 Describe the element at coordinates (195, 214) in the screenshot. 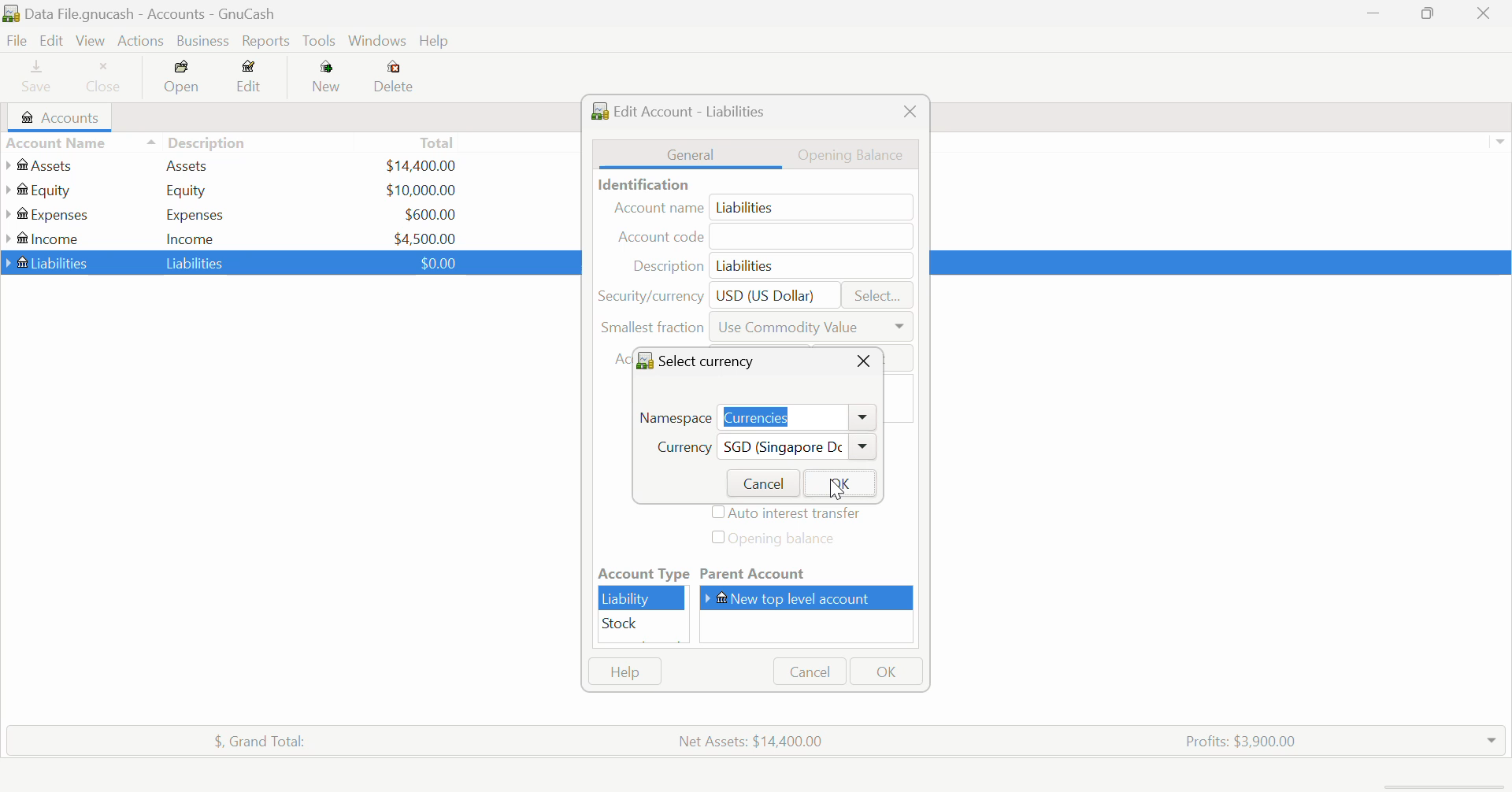

I see `Expenses` at that location.